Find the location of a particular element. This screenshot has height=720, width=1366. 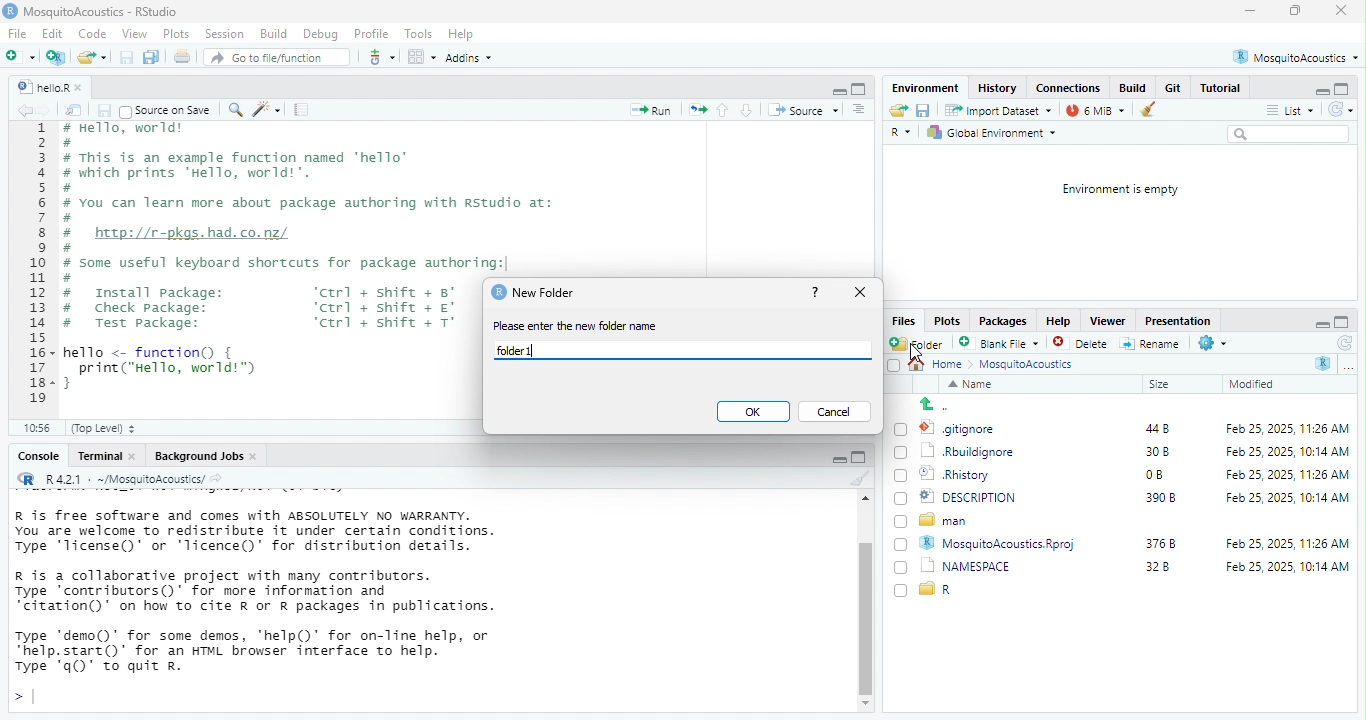

r studio logo is located at coordinates (496, 292).